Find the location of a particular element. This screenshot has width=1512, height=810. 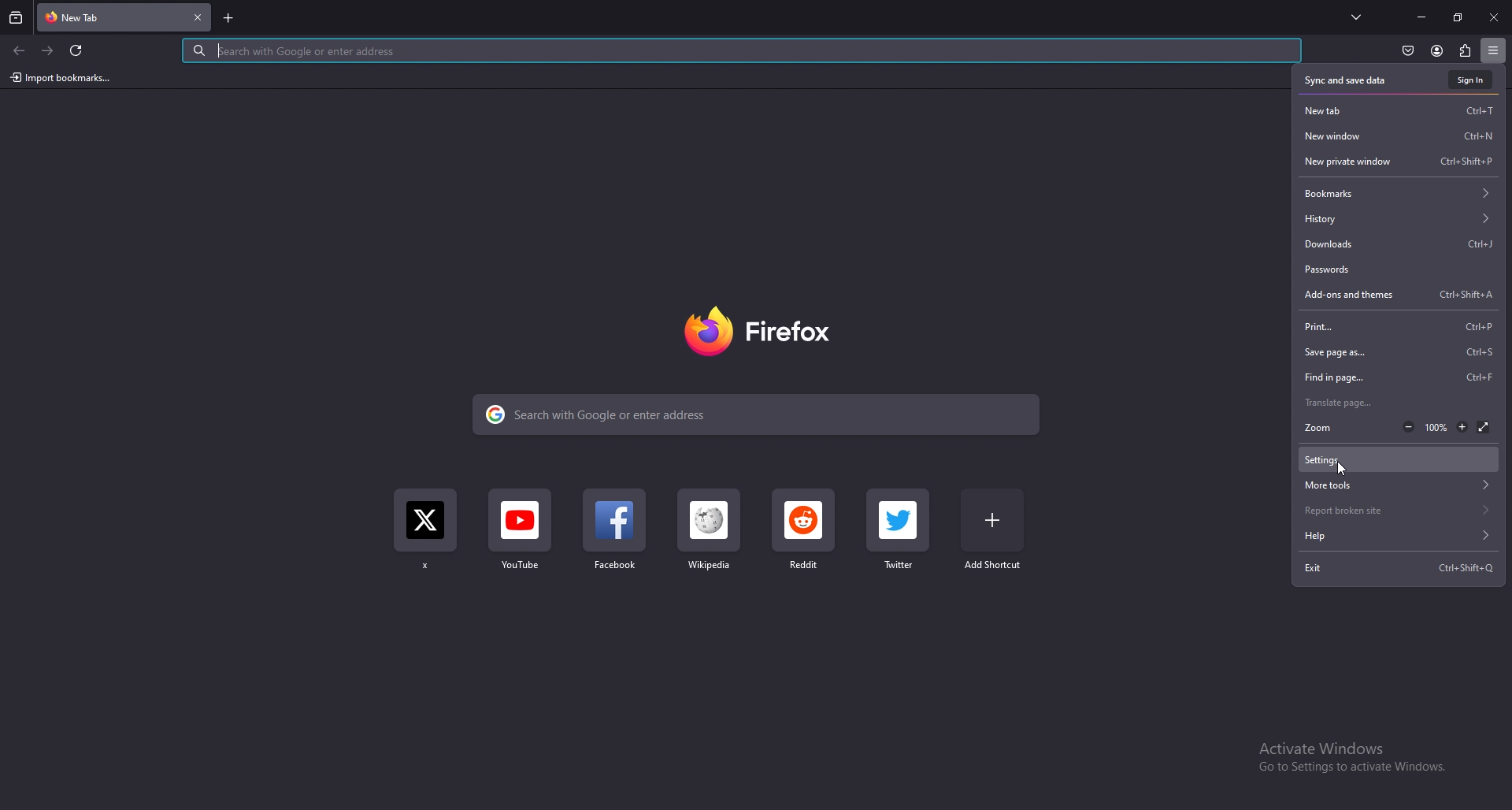

save page as is located at coordinates (1400, 353).